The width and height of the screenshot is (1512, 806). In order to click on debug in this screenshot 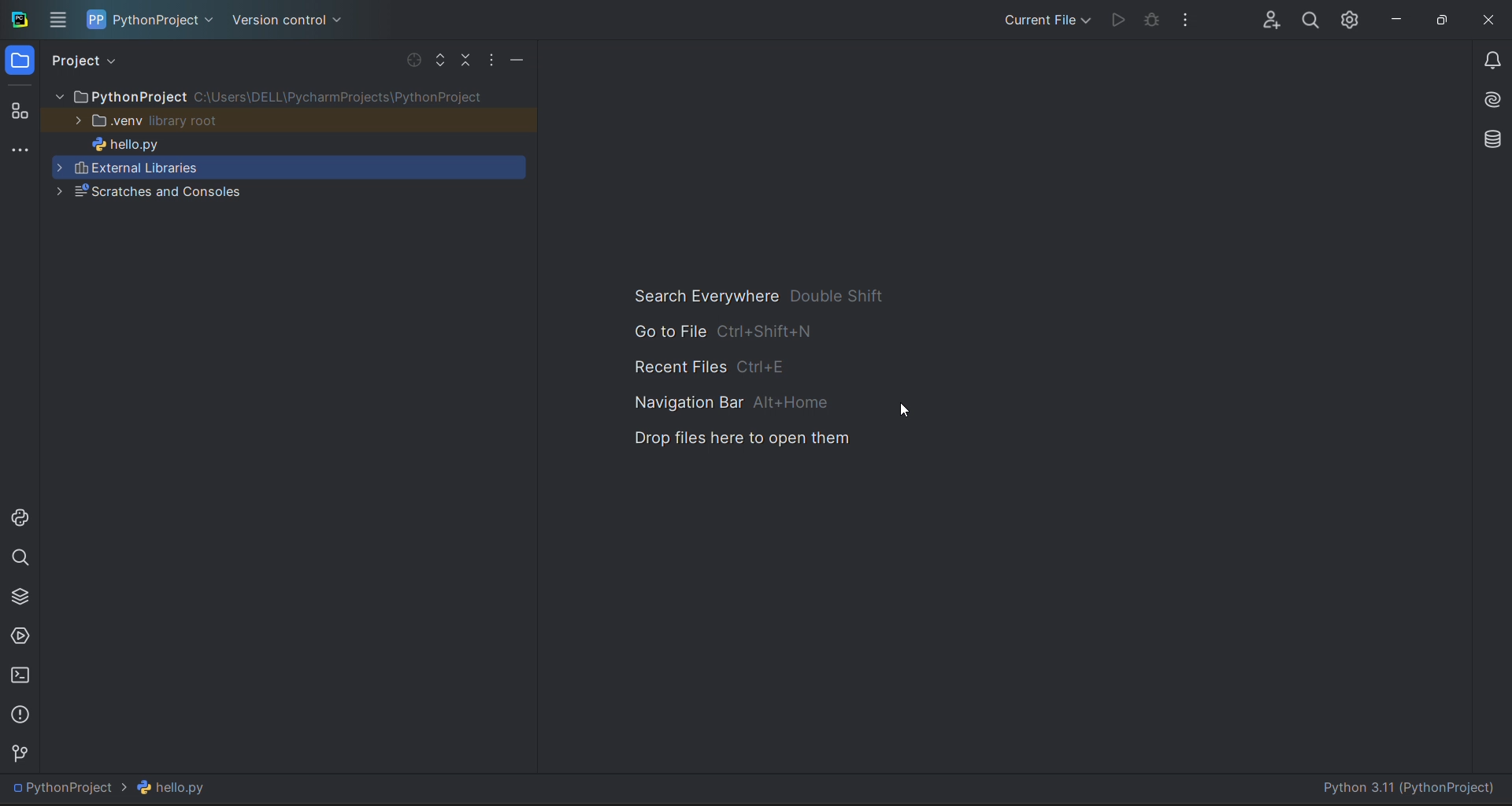, I will do `click(1152, 18)`.